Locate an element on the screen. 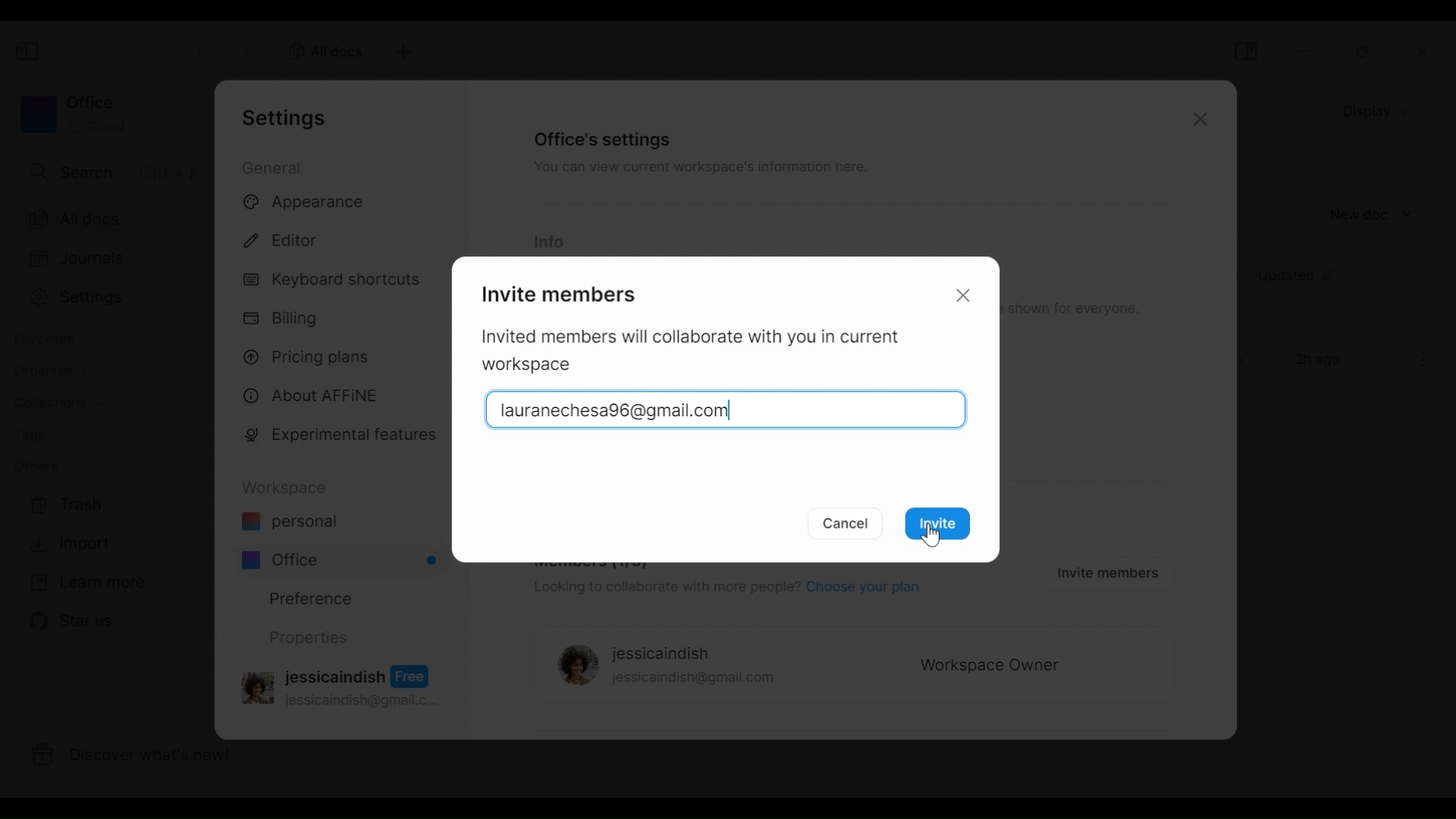 This screenshot has width=1456, height=819. about AFFiNE is located at coordinates (312, 397).